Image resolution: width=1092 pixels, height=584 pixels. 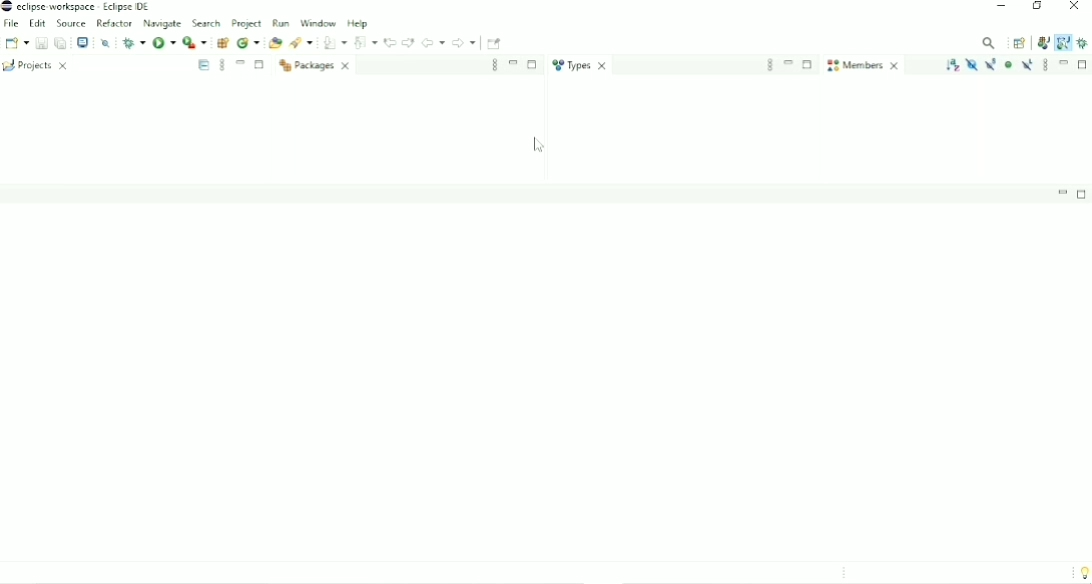 What do you see at coordinates (261, 66) in the screenshot?
I see `Maximize` at bounding box center [261, 66].